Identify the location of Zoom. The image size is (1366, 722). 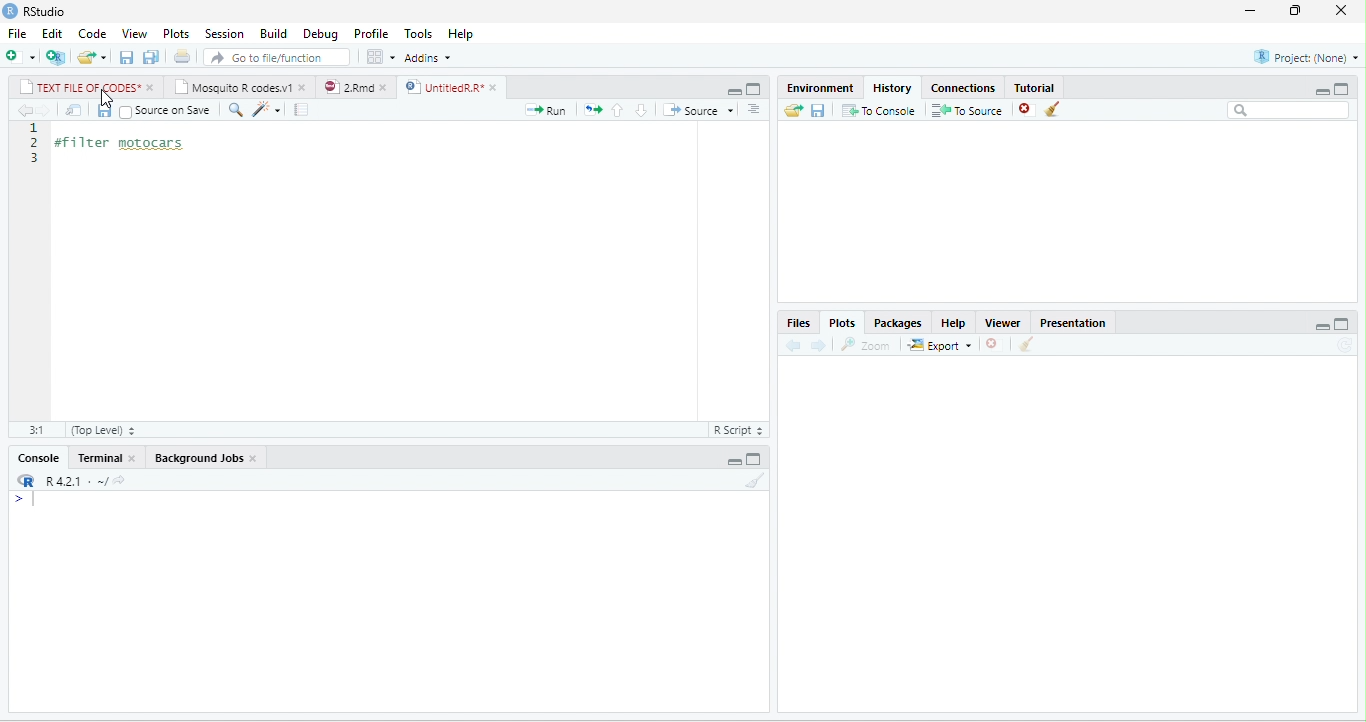
(864, 345).